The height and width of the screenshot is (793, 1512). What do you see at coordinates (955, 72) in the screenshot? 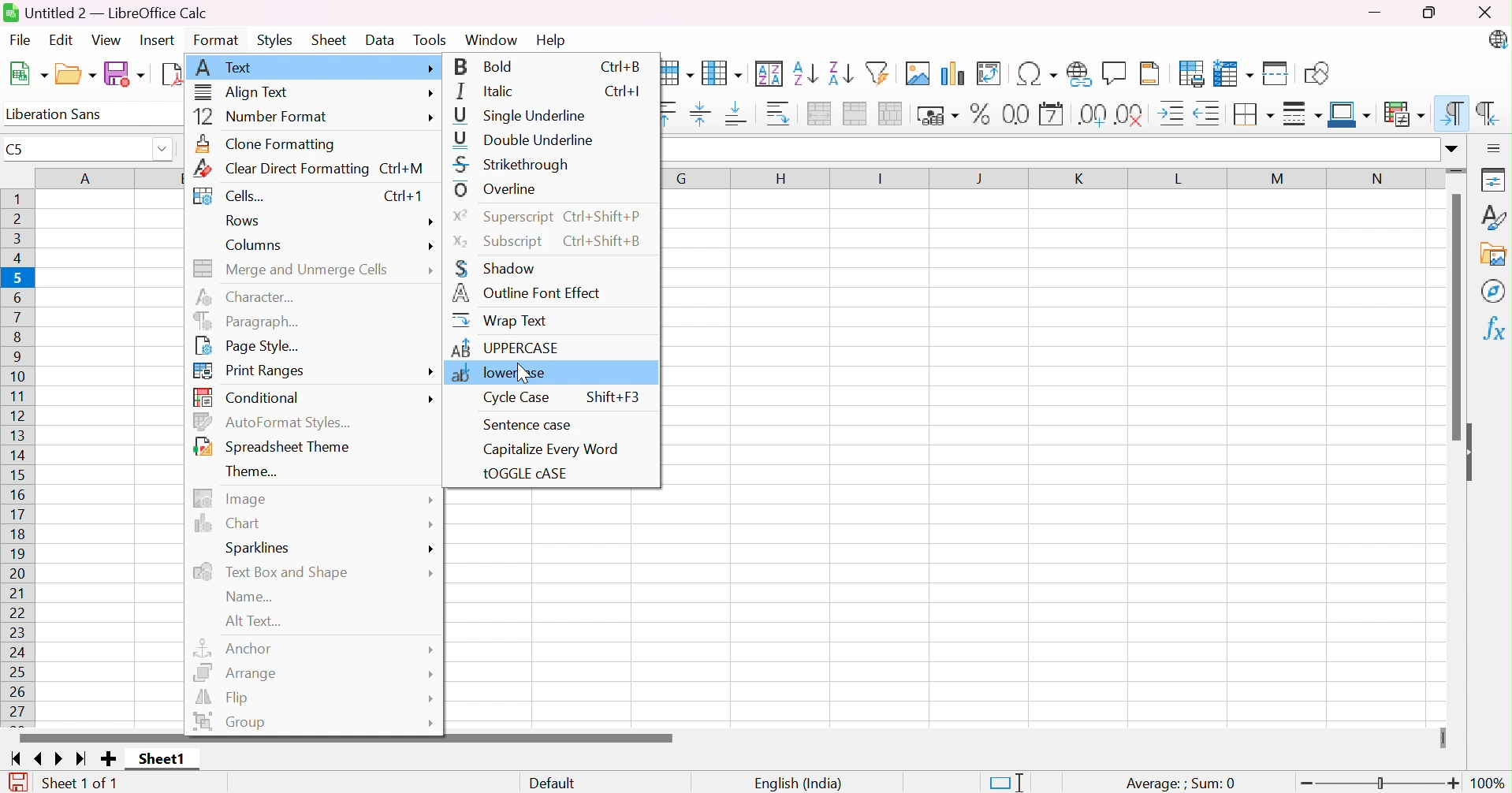
I see `Insert Chart` at bounding box center [955, 72].